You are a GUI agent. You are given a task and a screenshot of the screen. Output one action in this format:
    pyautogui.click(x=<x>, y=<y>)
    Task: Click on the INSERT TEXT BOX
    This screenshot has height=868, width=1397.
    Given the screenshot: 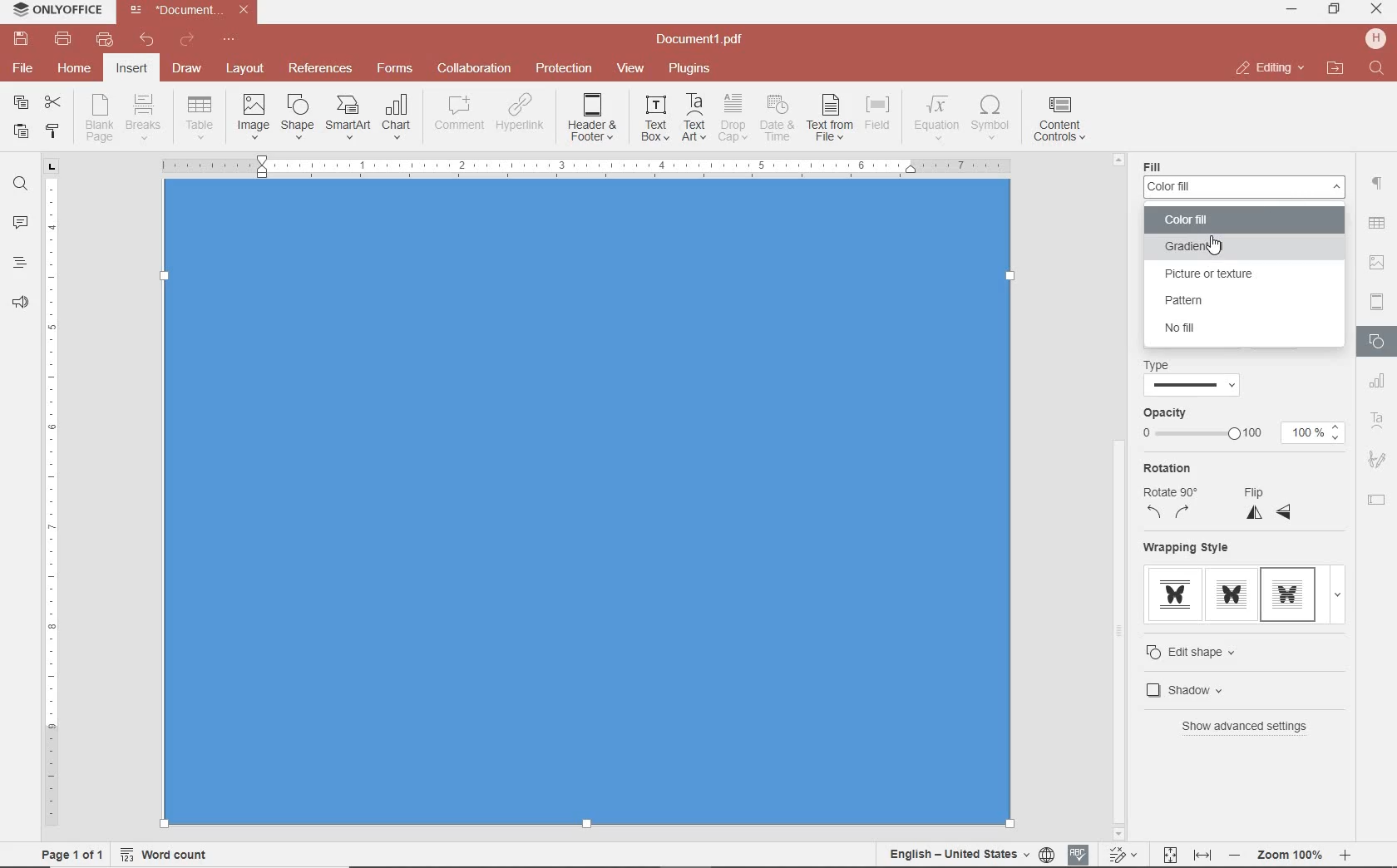 What is the action you would take?
    pyautogui.click(x=654, y=117)
    